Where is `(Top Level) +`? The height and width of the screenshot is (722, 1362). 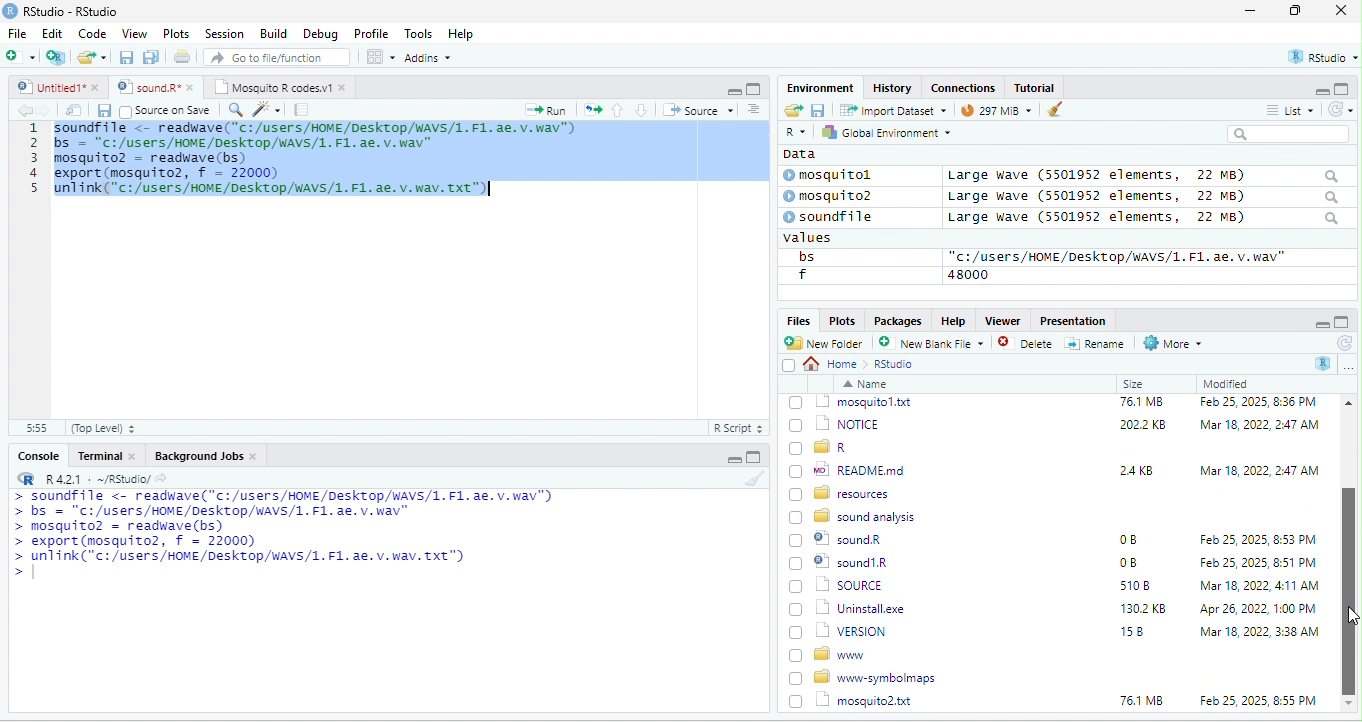
(Top Level) + is located at coordinates (103, 428).